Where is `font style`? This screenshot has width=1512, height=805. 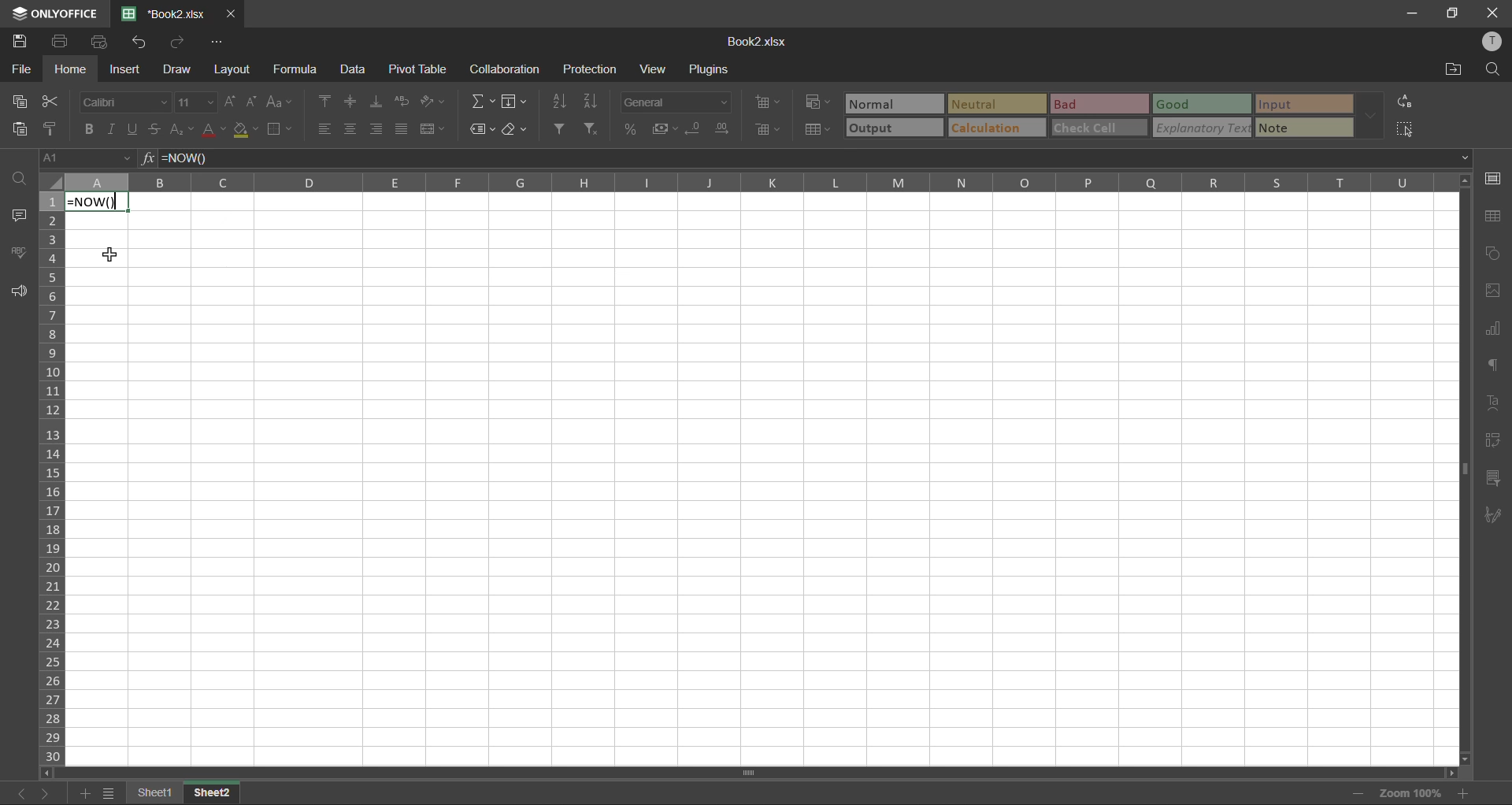
font style is located at coordinates (128, 101).